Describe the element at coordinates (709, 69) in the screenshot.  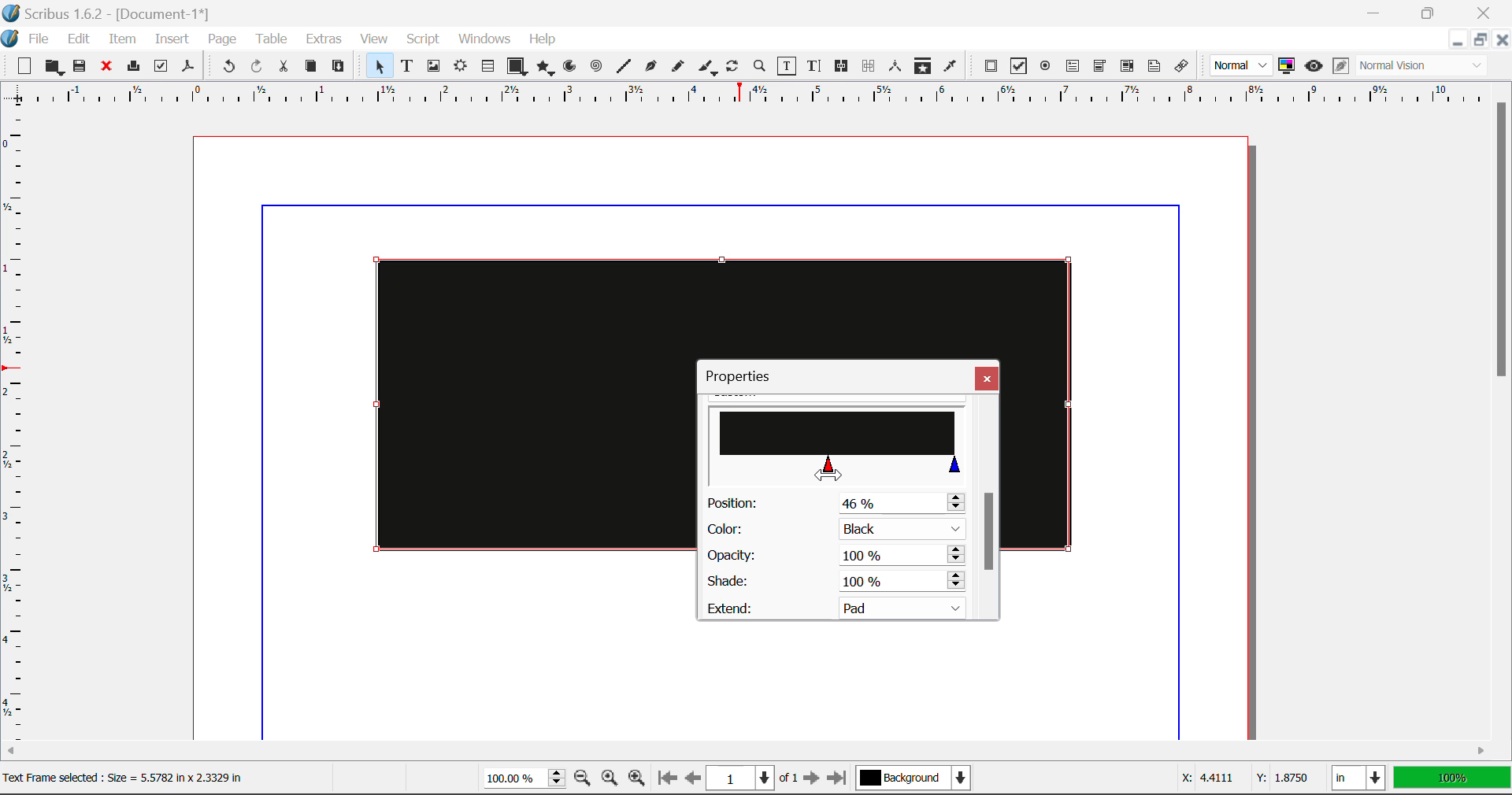
I see `Calligraphic Line` at that location.